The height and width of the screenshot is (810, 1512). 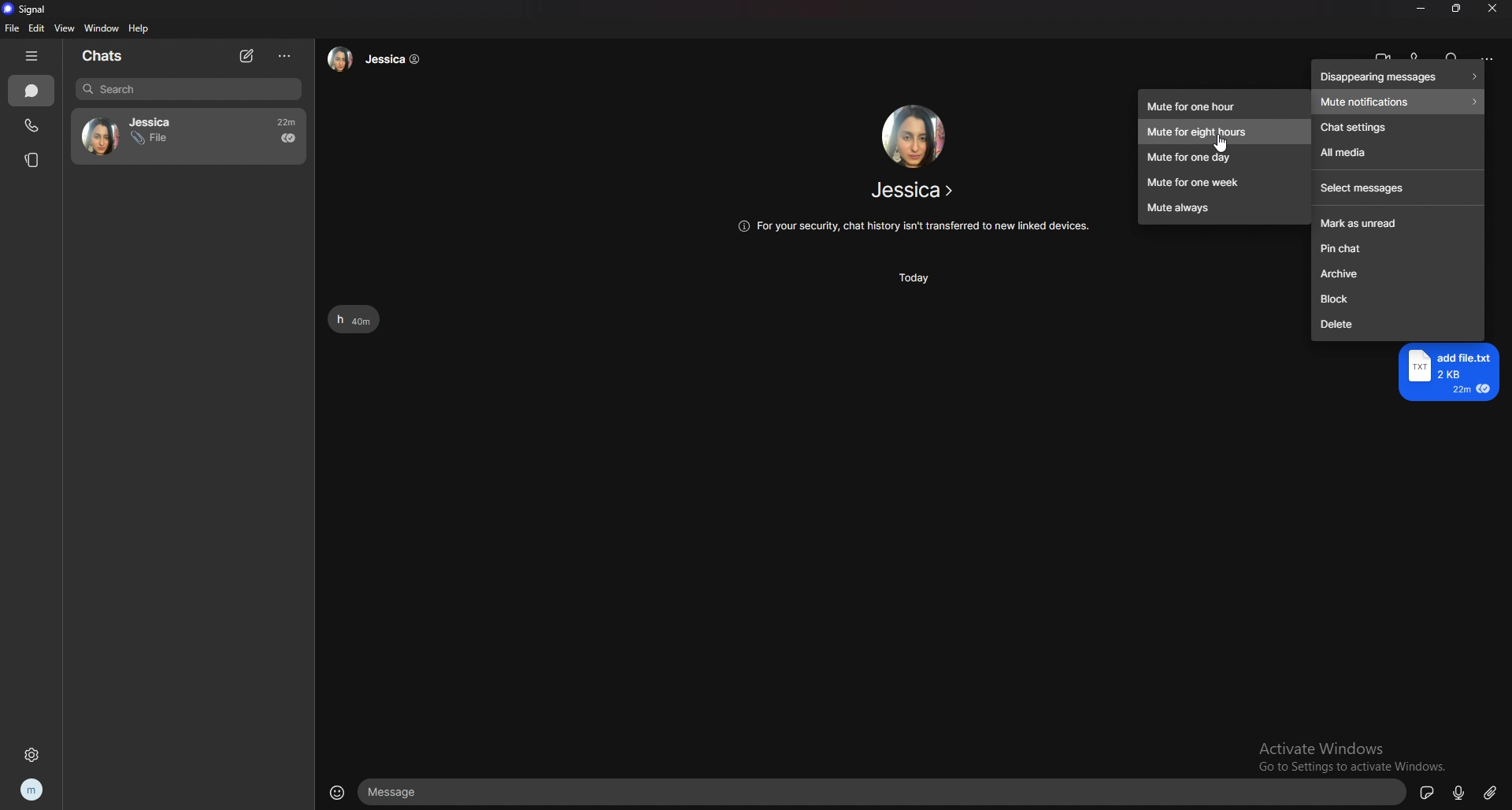 I want to click on search bar, so click(x=188, y=89).